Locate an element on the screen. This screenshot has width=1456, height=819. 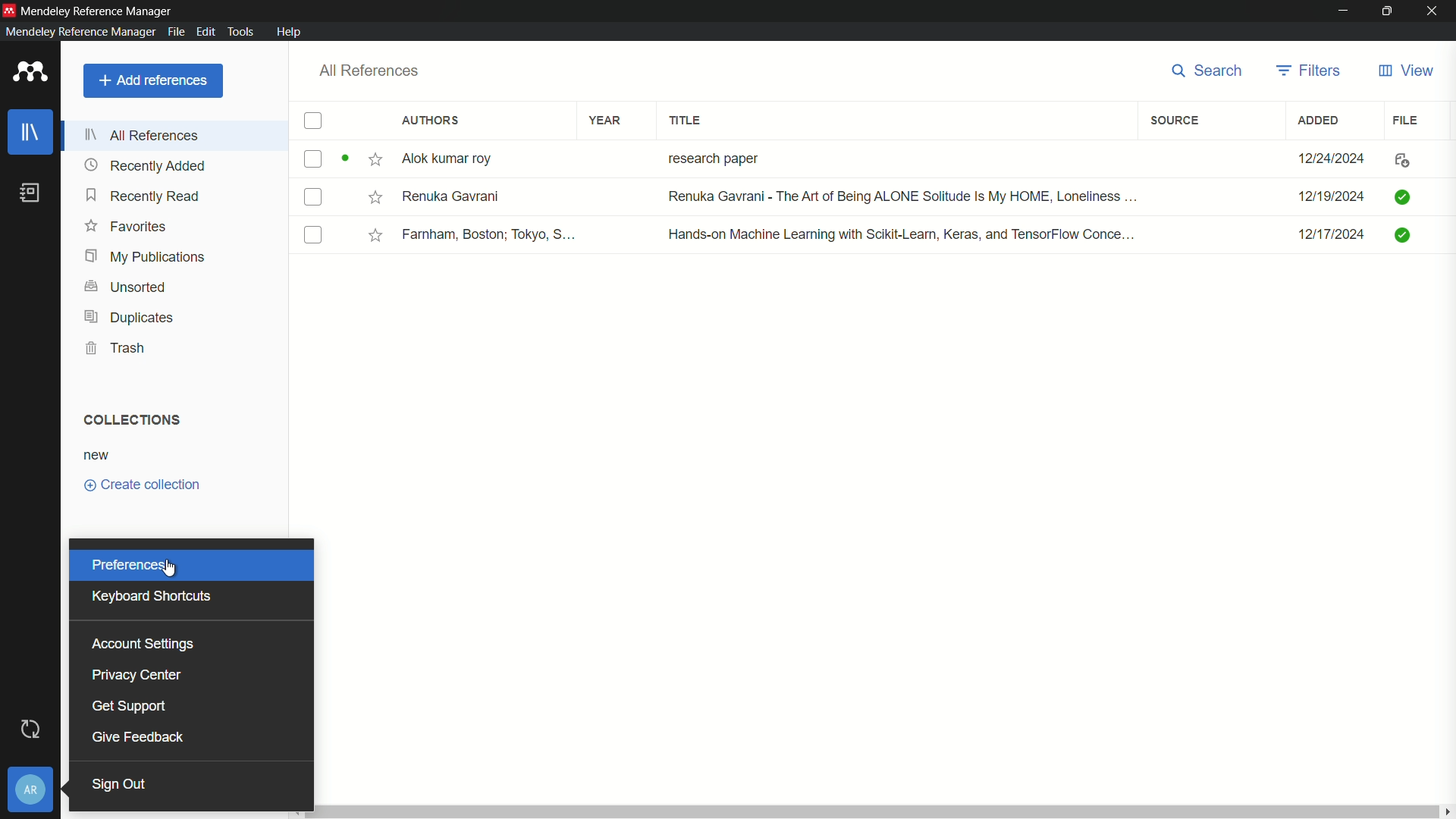
filters is located at coordinates (1311, 71).